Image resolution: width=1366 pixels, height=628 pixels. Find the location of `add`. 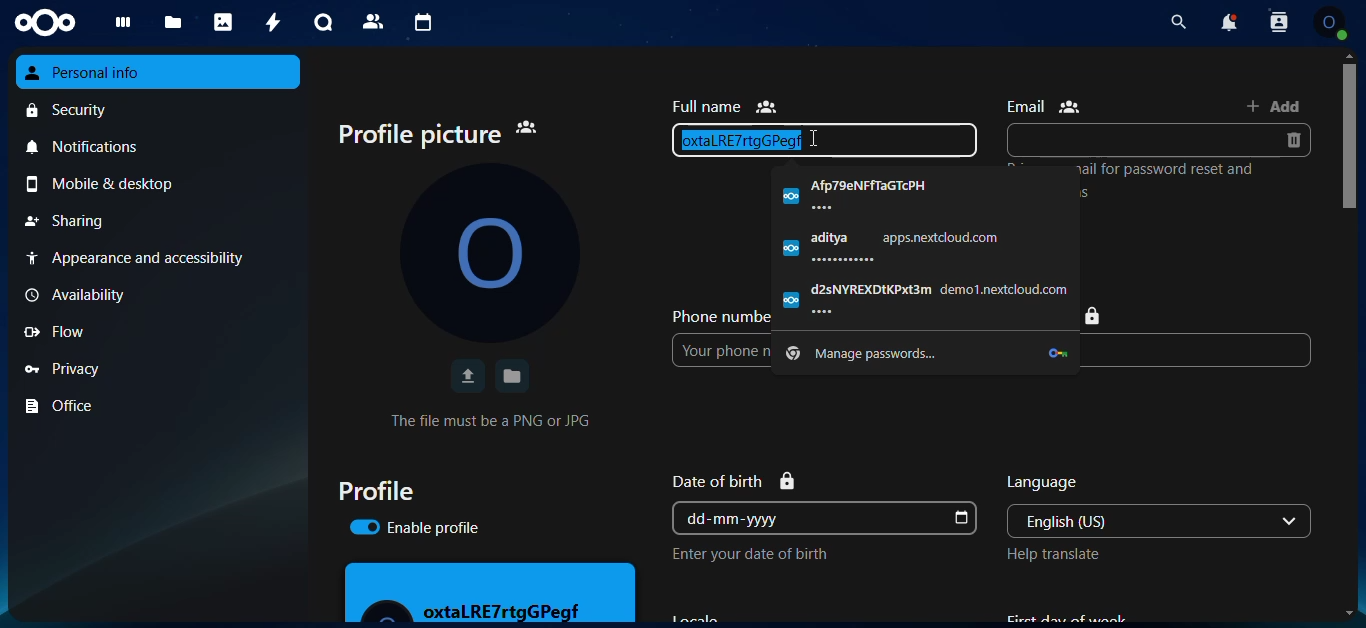

add is located at coordinates (1274, 105).